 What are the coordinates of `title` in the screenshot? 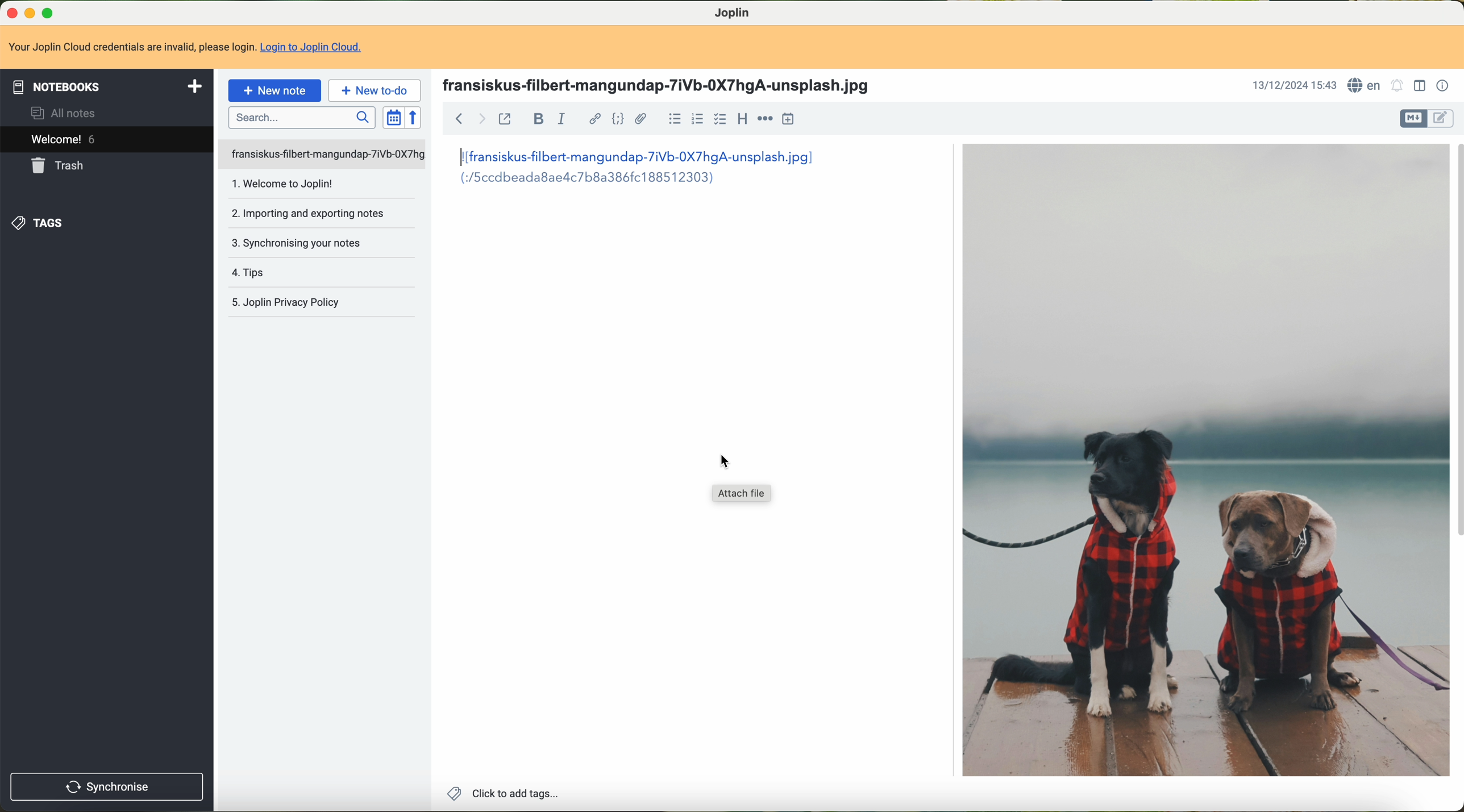 It's located at (662, 86).